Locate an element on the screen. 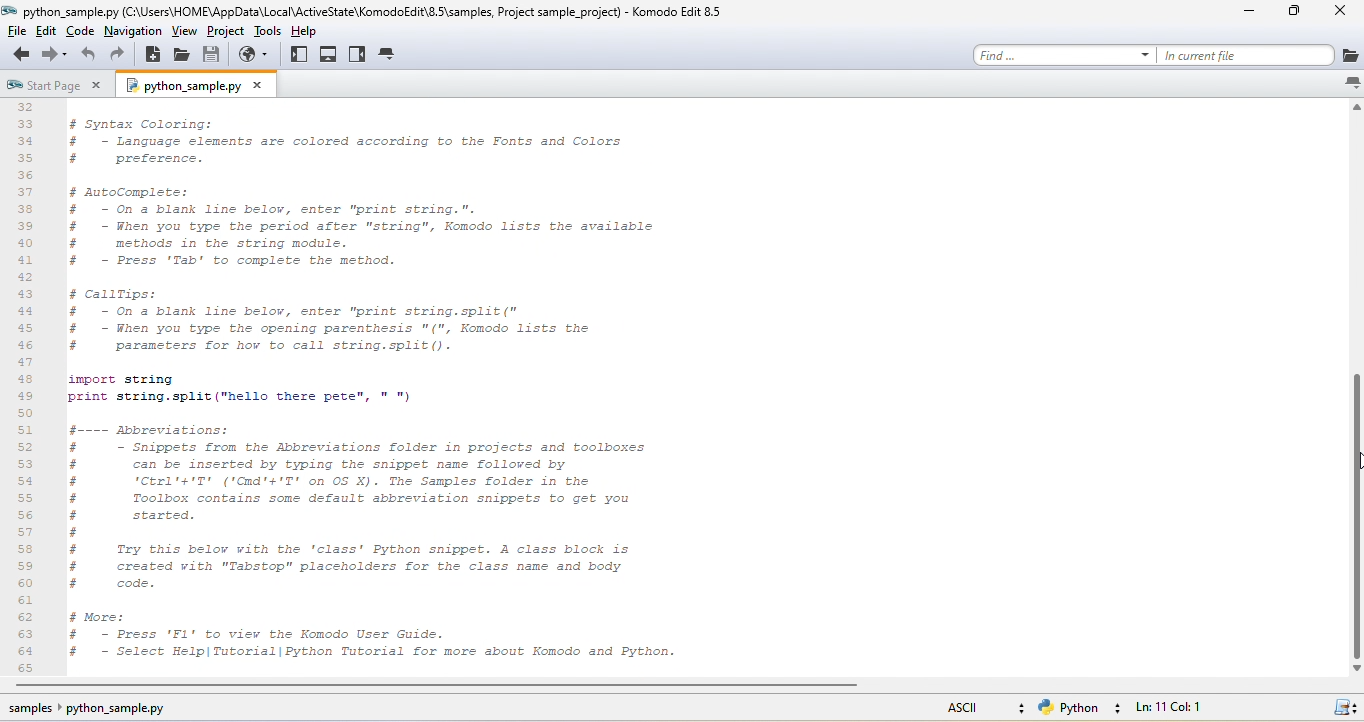 The width and height of the screenshot is (1364, 722). redo is located at coordinates (122, 57).